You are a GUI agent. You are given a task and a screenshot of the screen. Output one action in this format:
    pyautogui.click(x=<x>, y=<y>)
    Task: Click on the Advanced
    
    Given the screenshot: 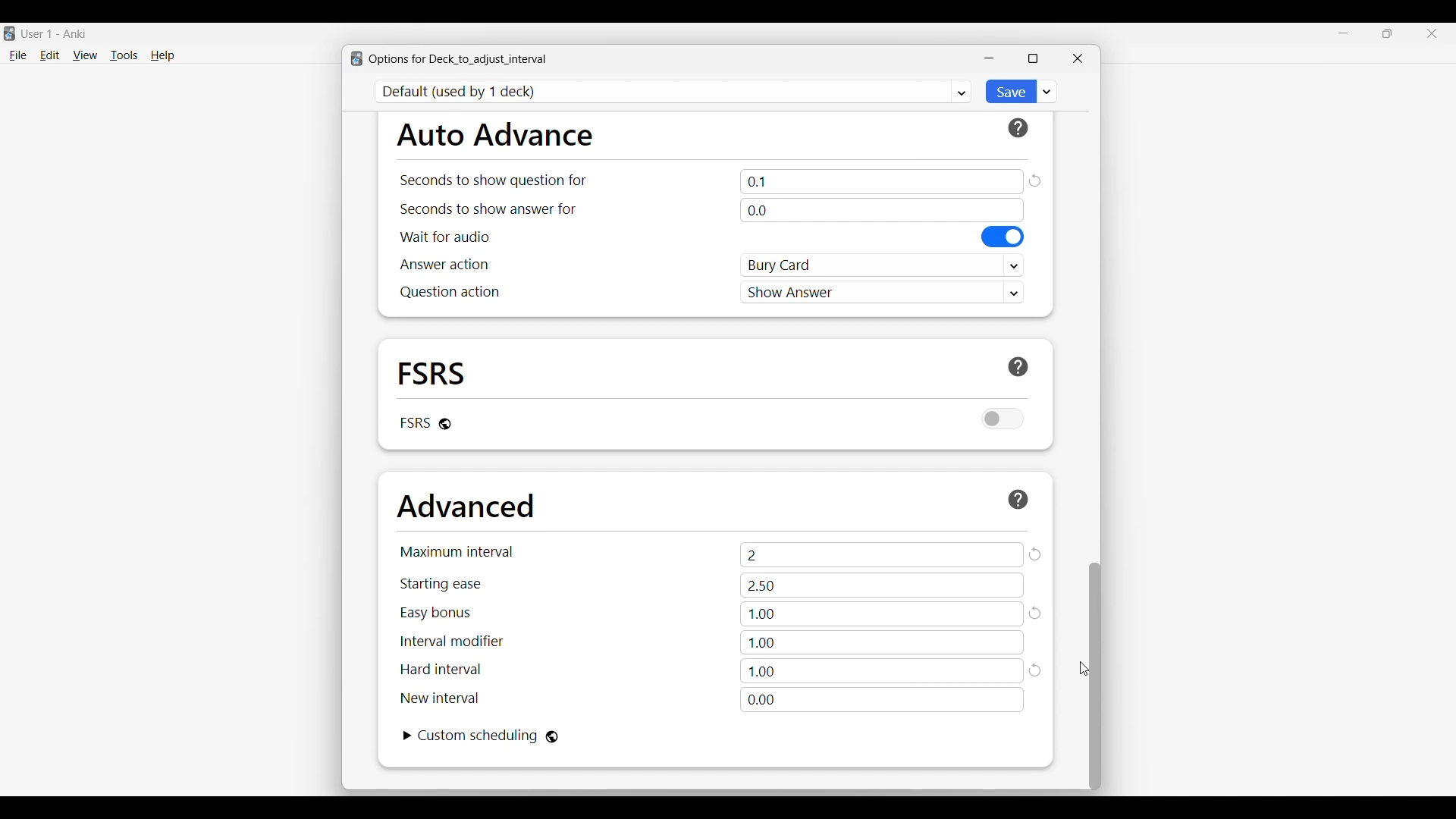 What is the action you would take?
    pyautogui.click(x=466, y=506)
    